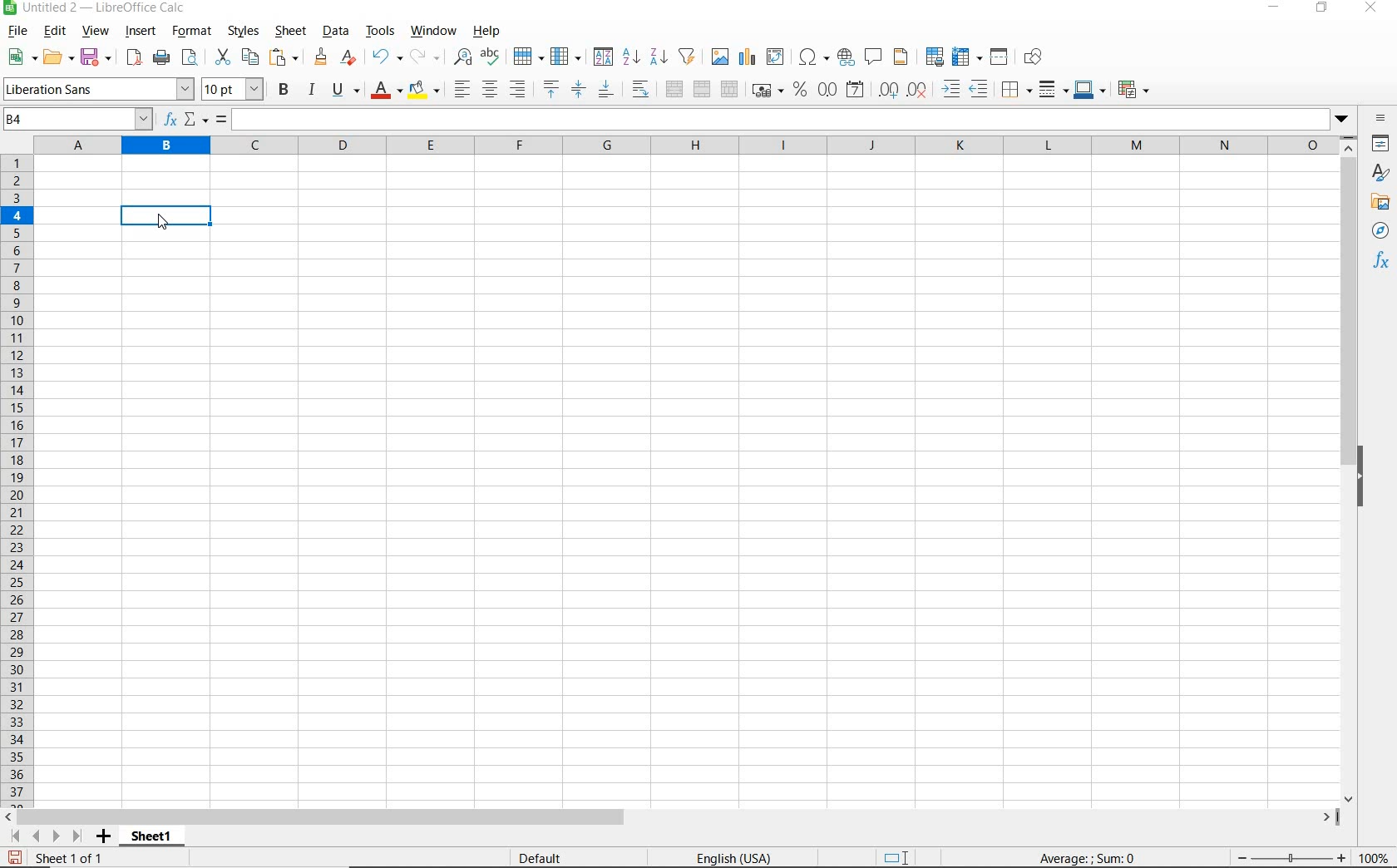 The height and width of the screenshot is (868, 1397). What do you see at coordinates (720, 57) in the screenshot?
I see `insert image` at bounding box center [720, 57].